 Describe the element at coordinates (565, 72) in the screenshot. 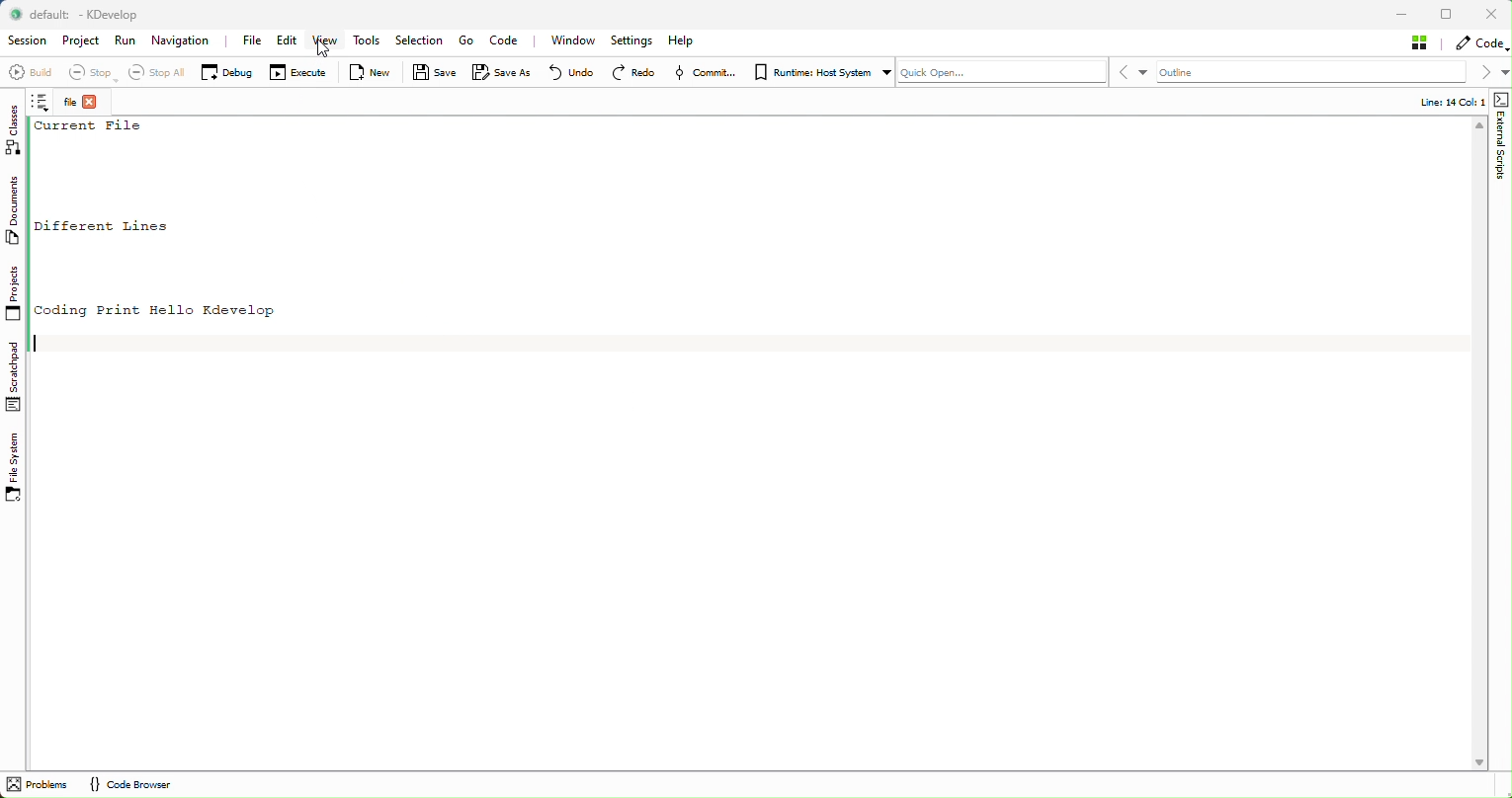

I see `Undo` at that location.